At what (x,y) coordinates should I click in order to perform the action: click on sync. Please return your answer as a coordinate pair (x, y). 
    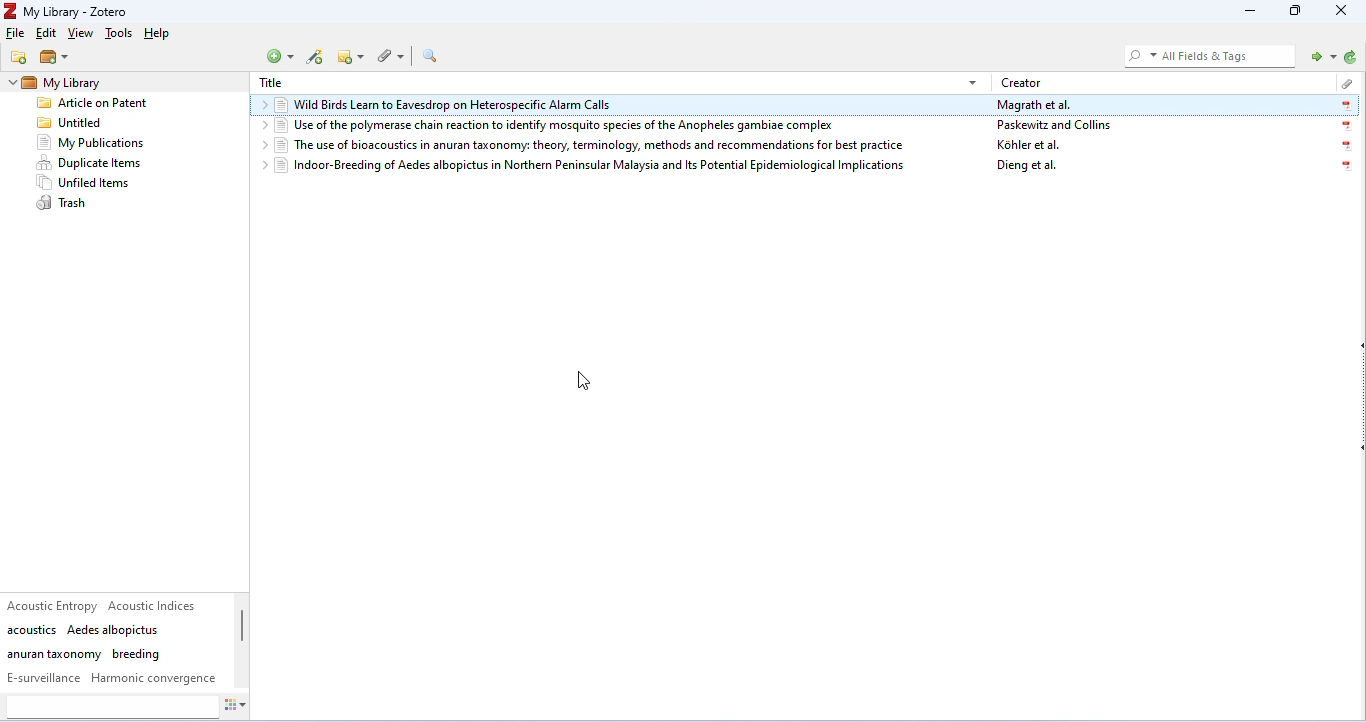
    Looking at the image, I should click on (1349, 58).